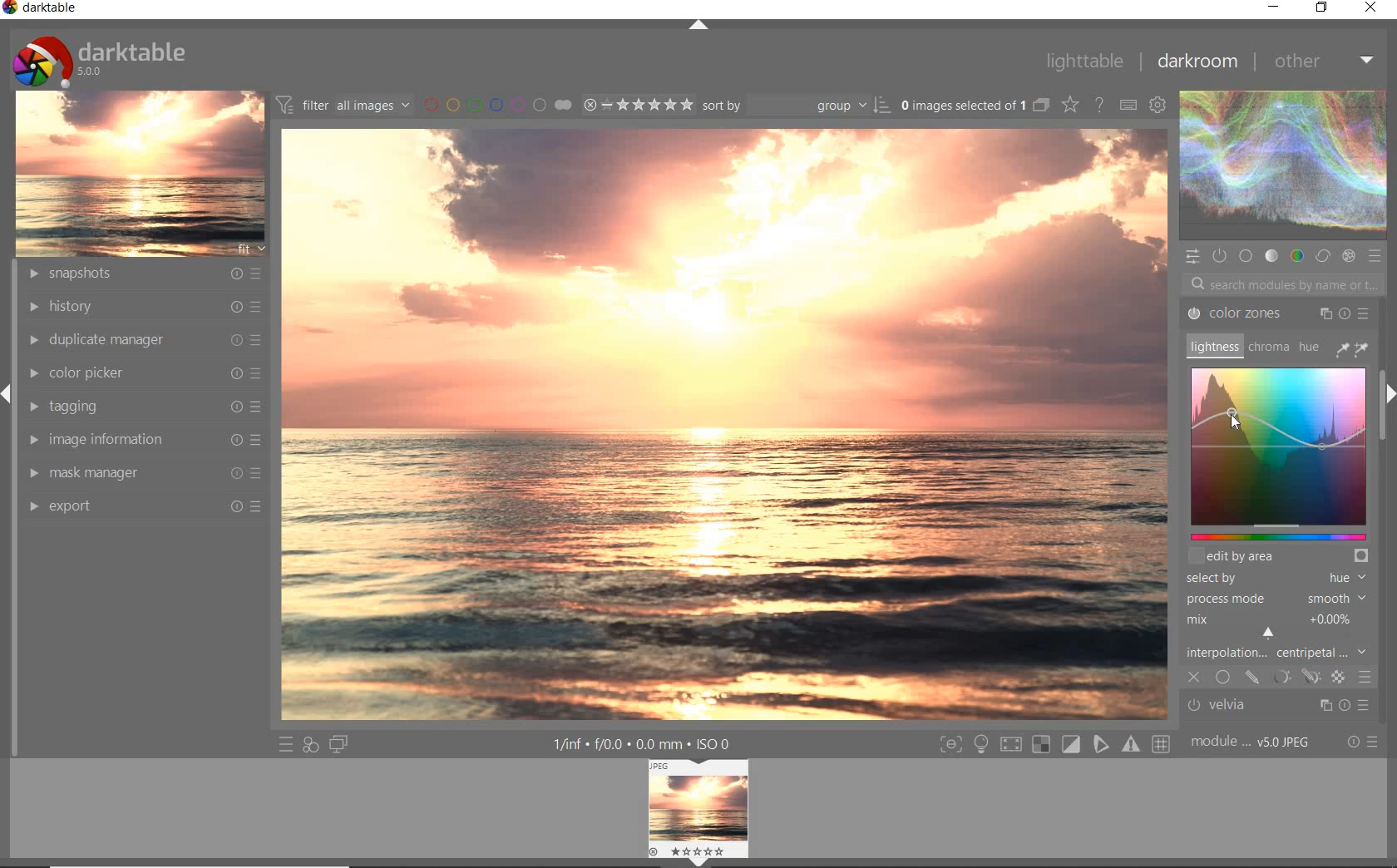  What do you see at coordinates (1310, 350) in the screenshot?
I see `HUE` at bounding box center [1310, 350].